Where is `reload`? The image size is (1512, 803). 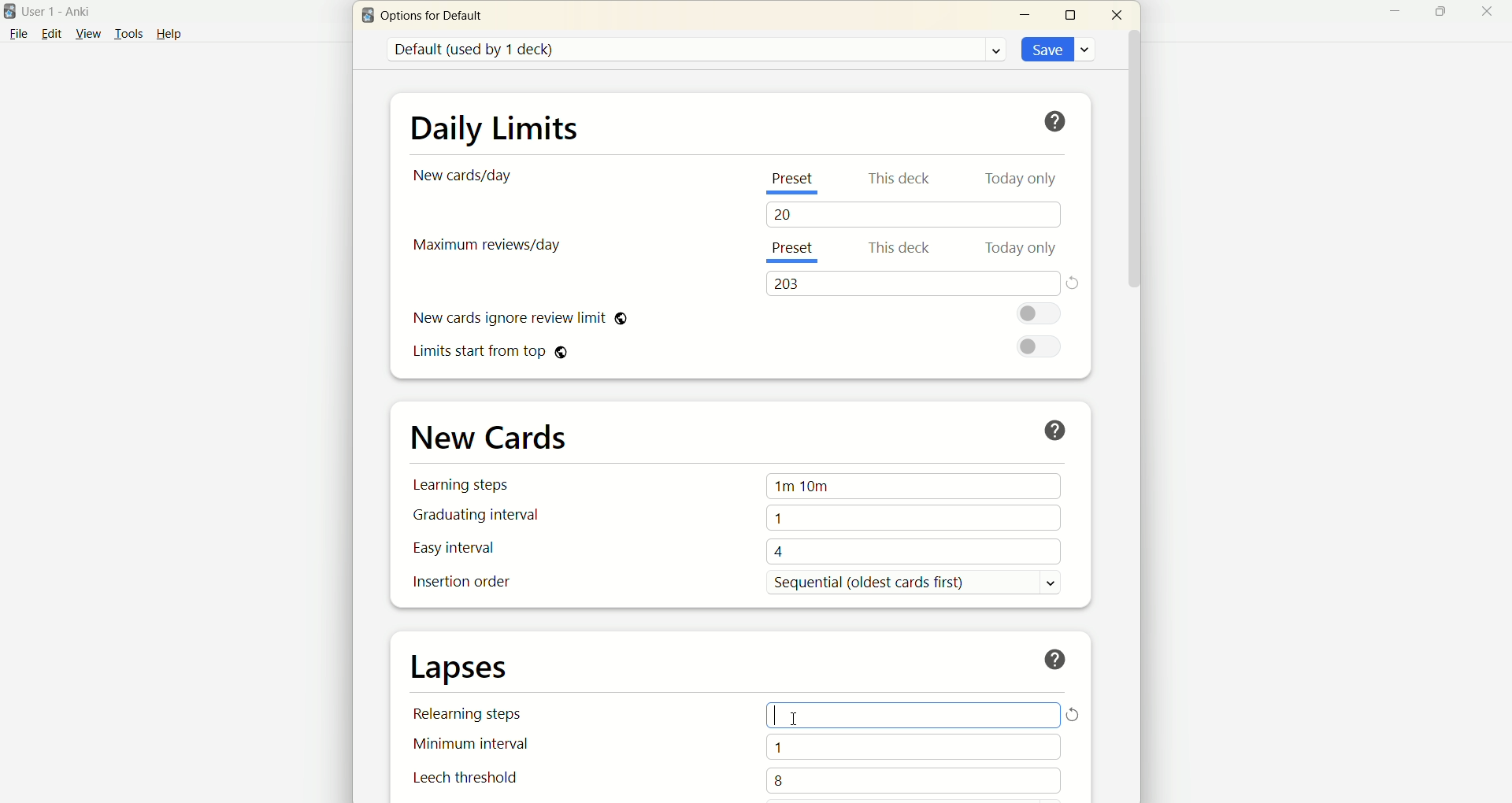 reload is located at coordinates (1076, 716).